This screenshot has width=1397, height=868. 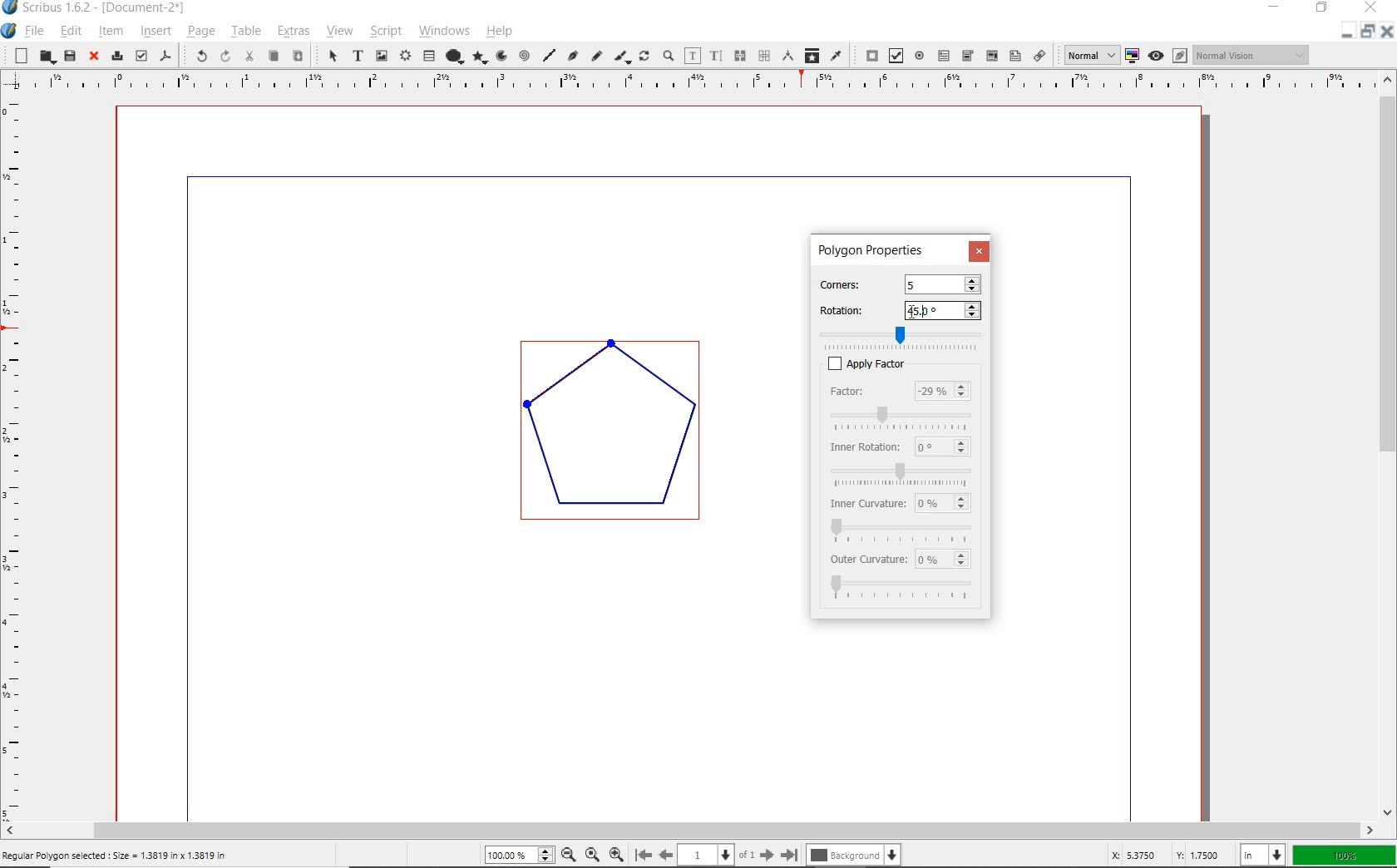 I want to click on Zoom In, so click(x=618, y=854).